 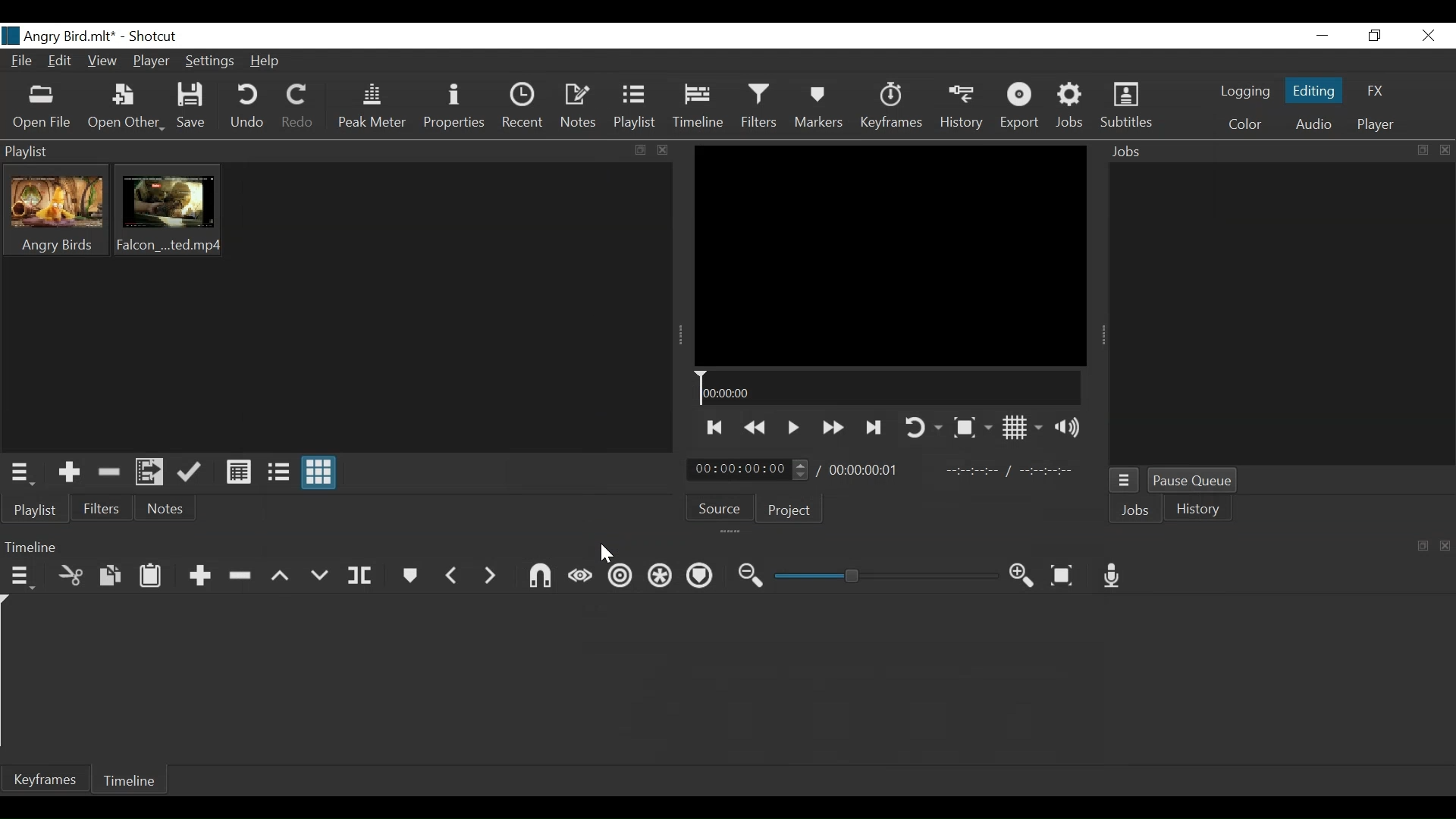 I want to click on Jobs Panel, so click(x=1281, y=314).